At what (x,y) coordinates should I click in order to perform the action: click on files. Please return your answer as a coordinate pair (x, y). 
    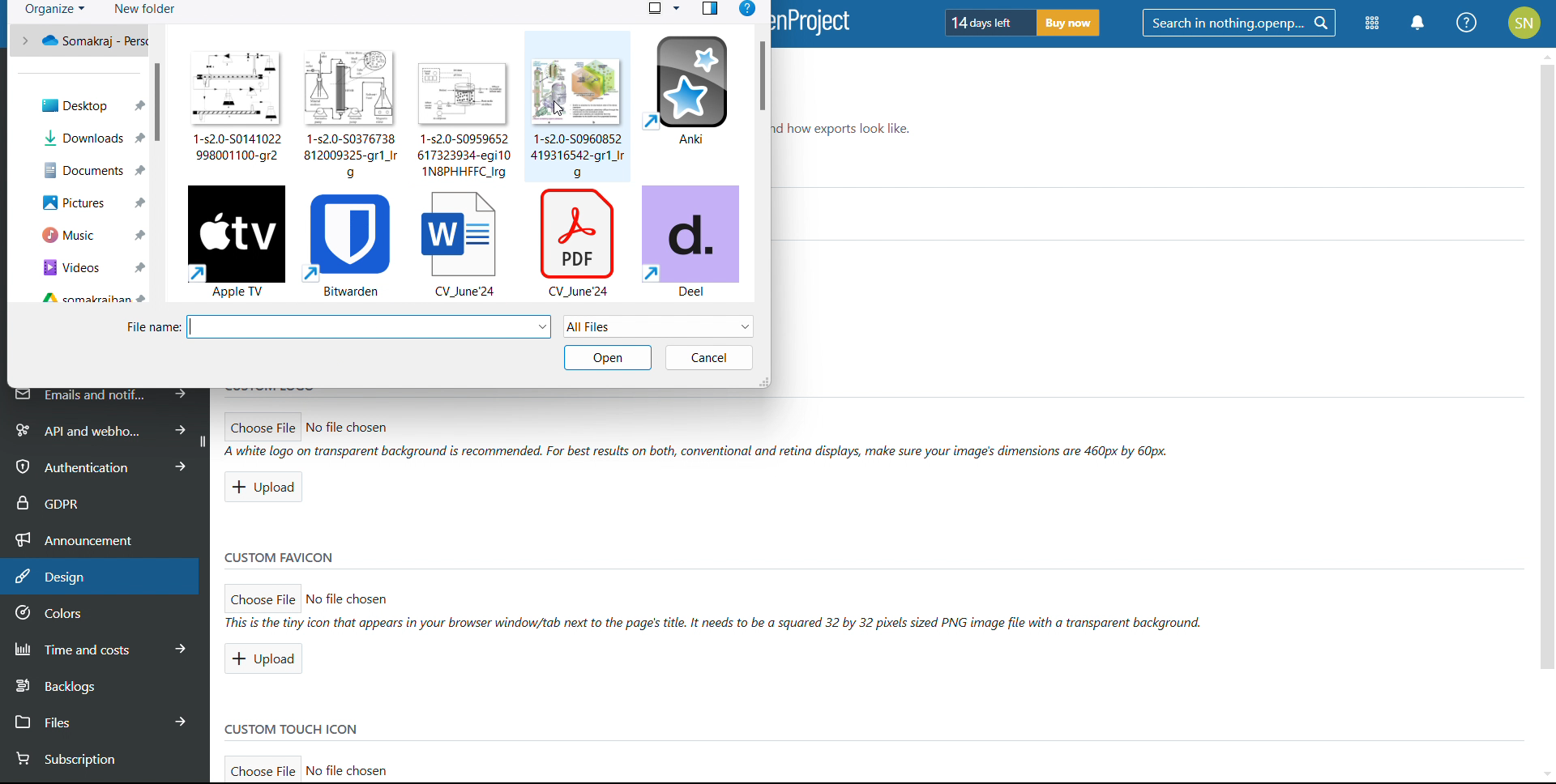
    Looking at the image, I should click on (101, 720).